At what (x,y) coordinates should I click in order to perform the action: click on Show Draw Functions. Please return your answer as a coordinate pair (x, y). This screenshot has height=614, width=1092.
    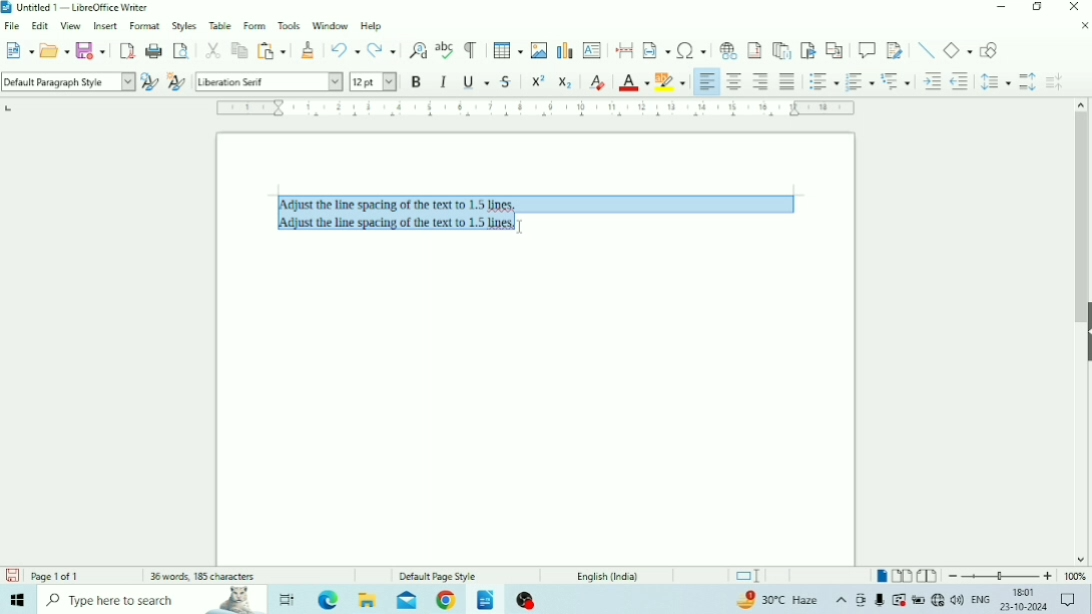
    Looking at the image, I should click on (989, 48).